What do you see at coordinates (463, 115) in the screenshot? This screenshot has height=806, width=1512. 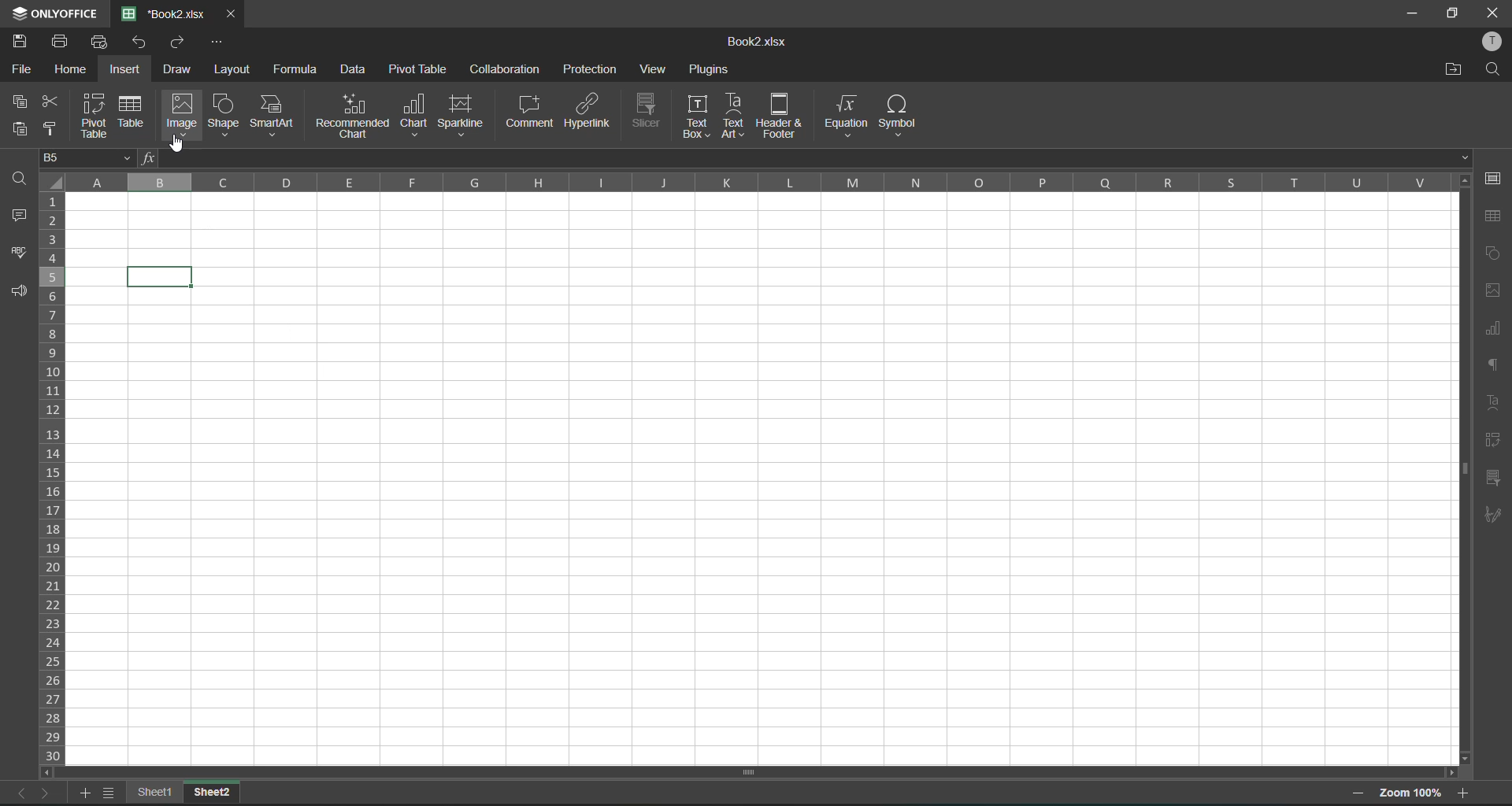 I see `sparkline` at bounding box center [463, 115].